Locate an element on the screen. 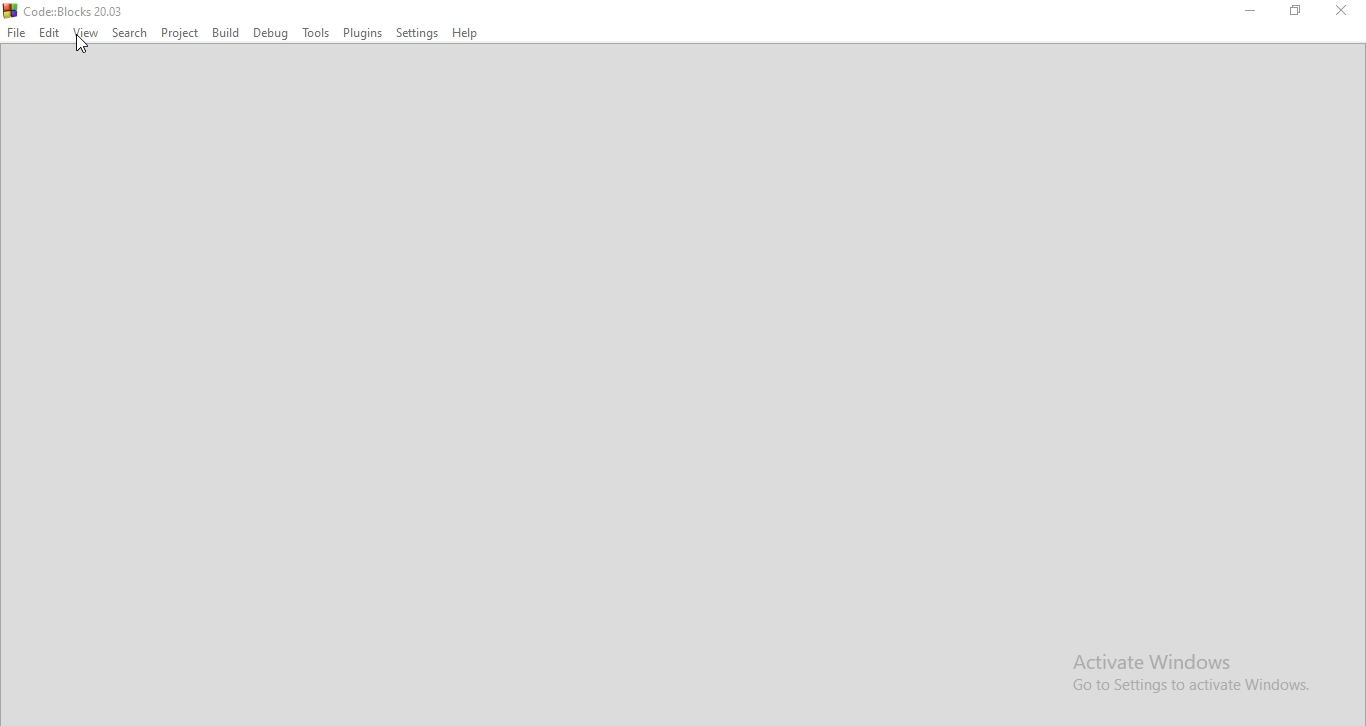  View  is located at coordinates (86, 33).